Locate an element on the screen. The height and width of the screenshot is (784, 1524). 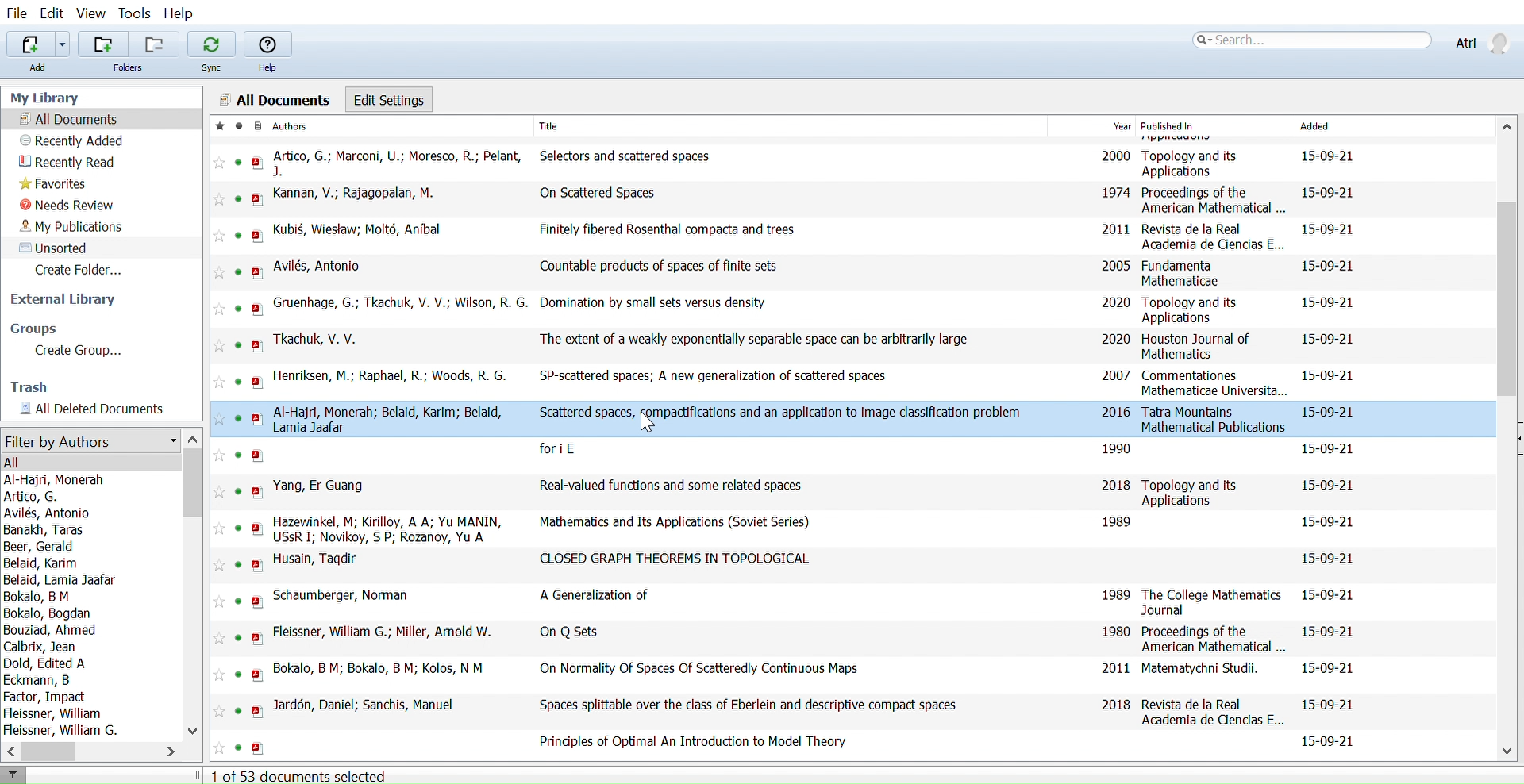
2005 is located at coordinates (1118, 266).